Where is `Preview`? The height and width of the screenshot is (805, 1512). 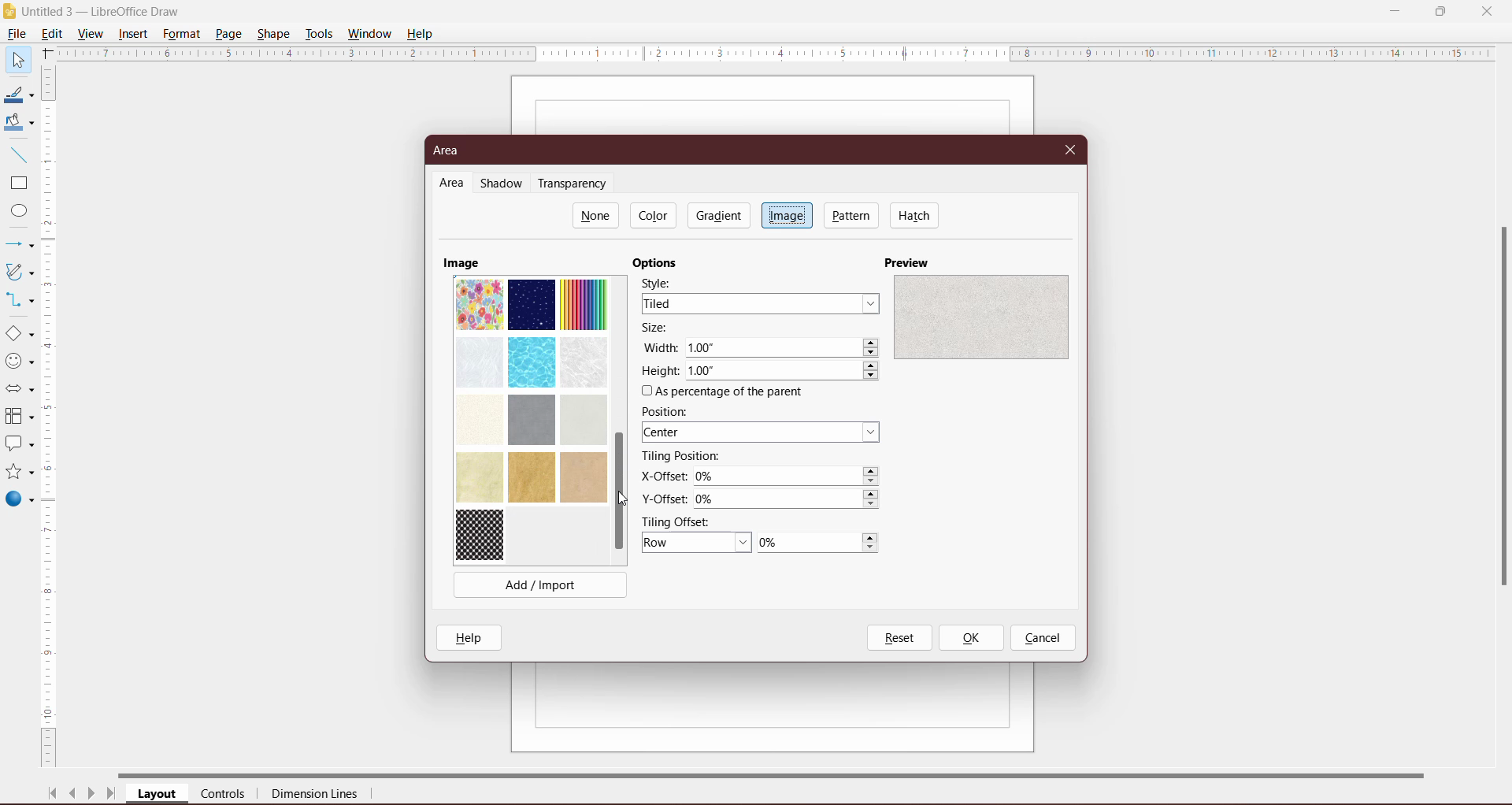 Preview is located at coordinates (910, 262).